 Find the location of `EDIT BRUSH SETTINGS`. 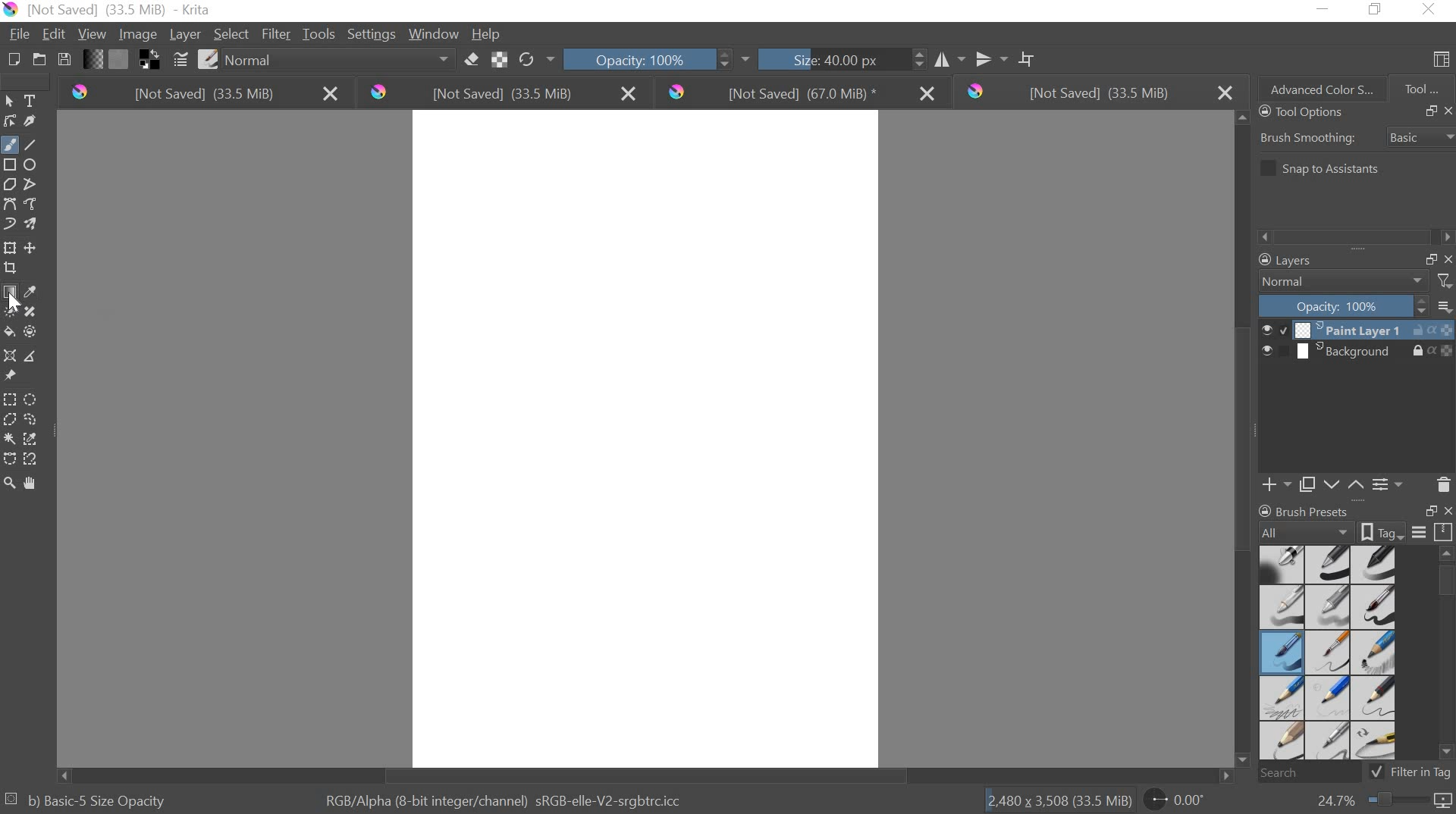

EDIT BRUSH SETTINGS is located at coordinates (178, 60).